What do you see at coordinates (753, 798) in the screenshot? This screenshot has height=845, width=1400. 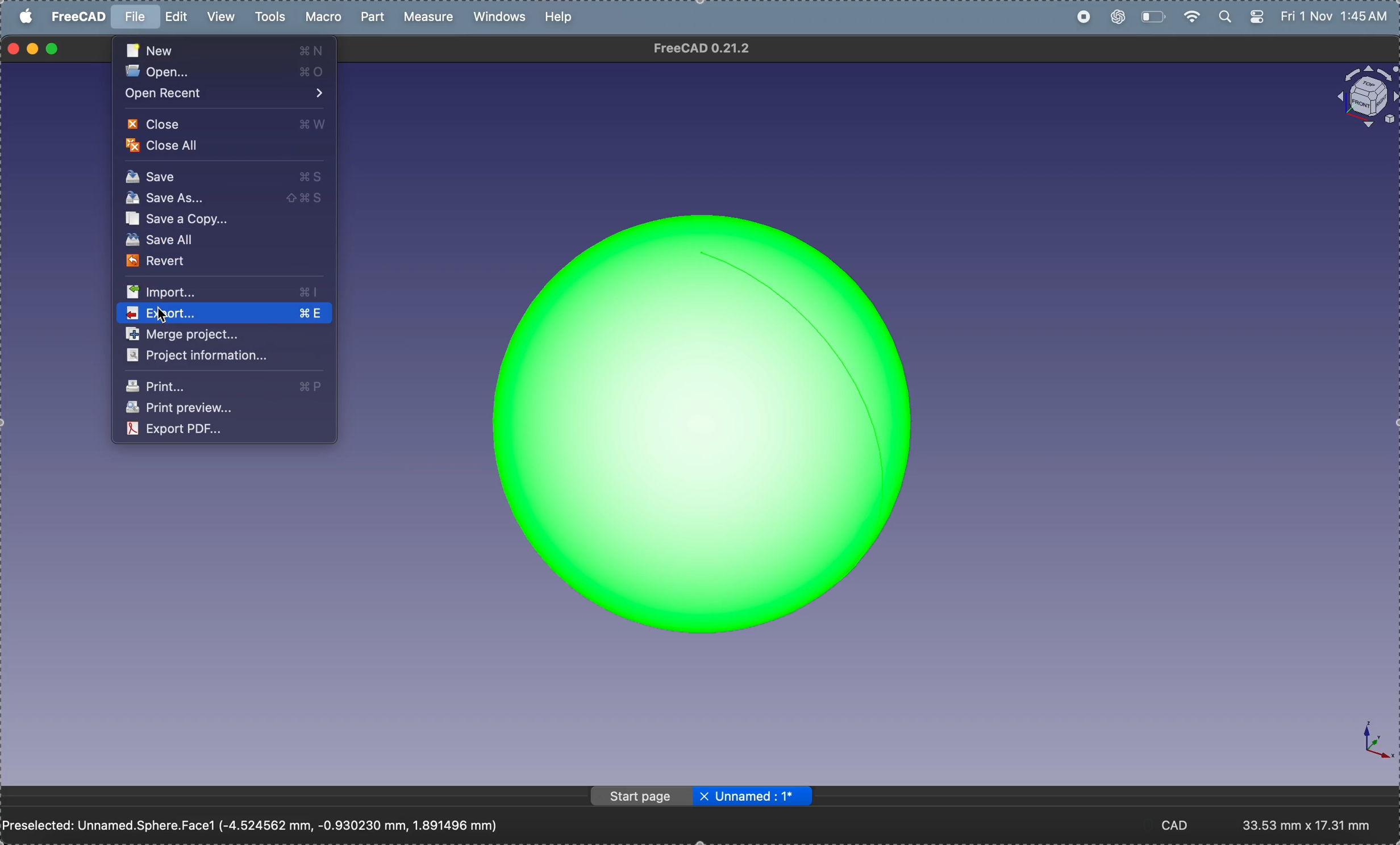 I see `unnamed:1` at bounding box center [753, 798].